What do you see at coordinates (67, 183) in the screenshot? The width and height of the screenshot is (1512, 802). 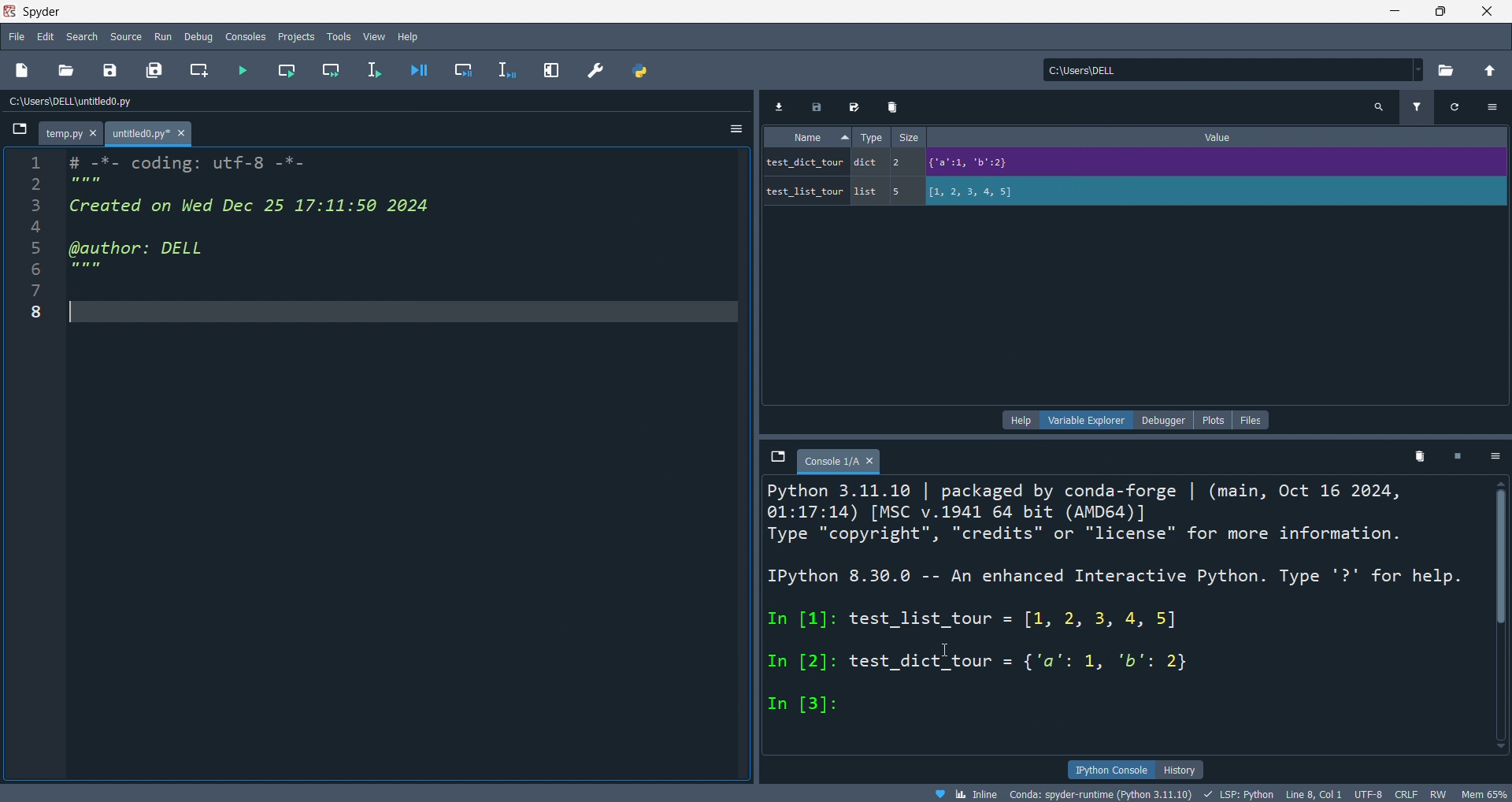 I see `2 ''''''` at bounding box center [67, 183].